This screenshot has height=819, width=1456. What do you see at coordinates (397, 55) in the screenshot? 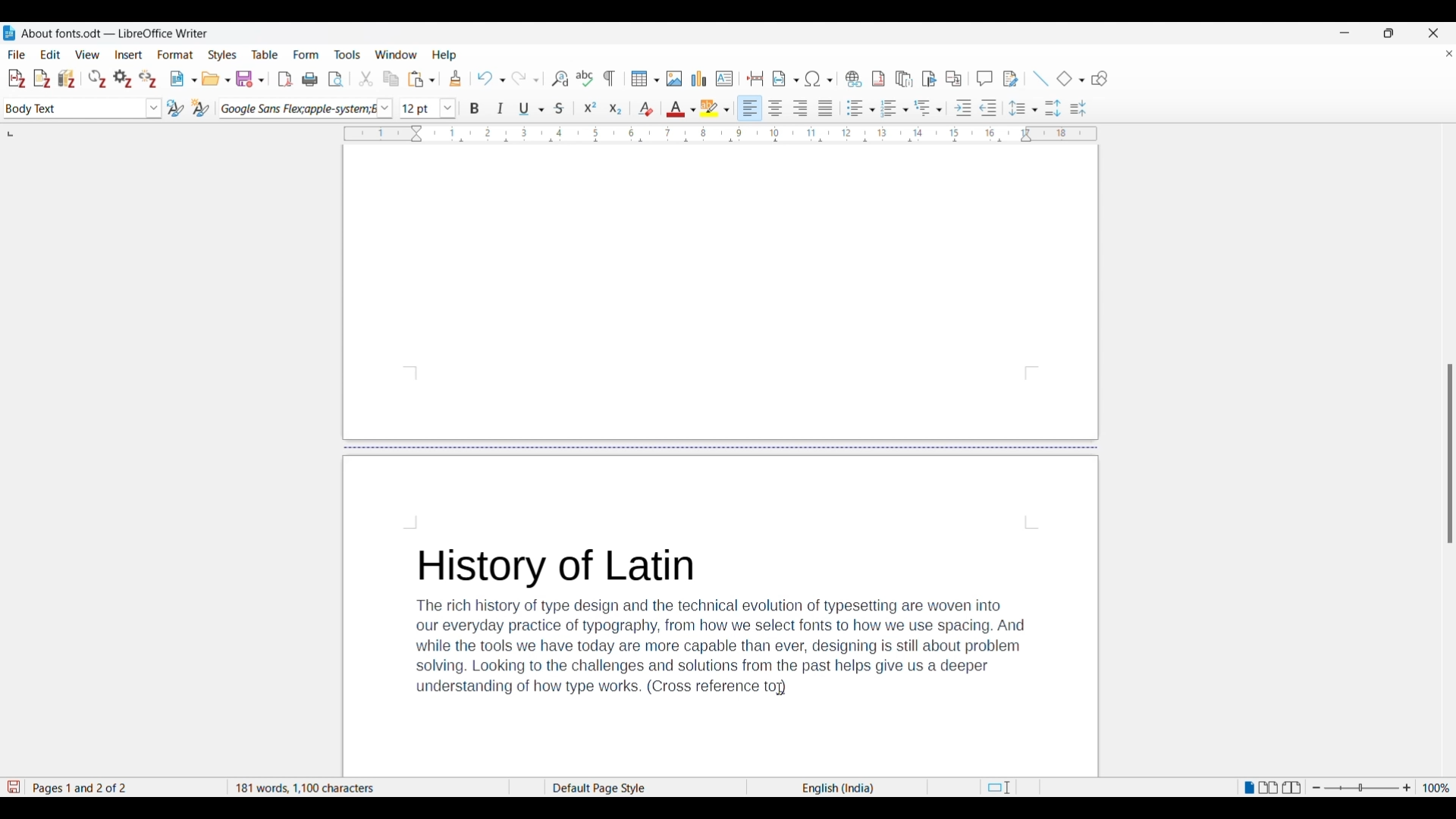
I see `Window menu` at bounding box center [397, 55].